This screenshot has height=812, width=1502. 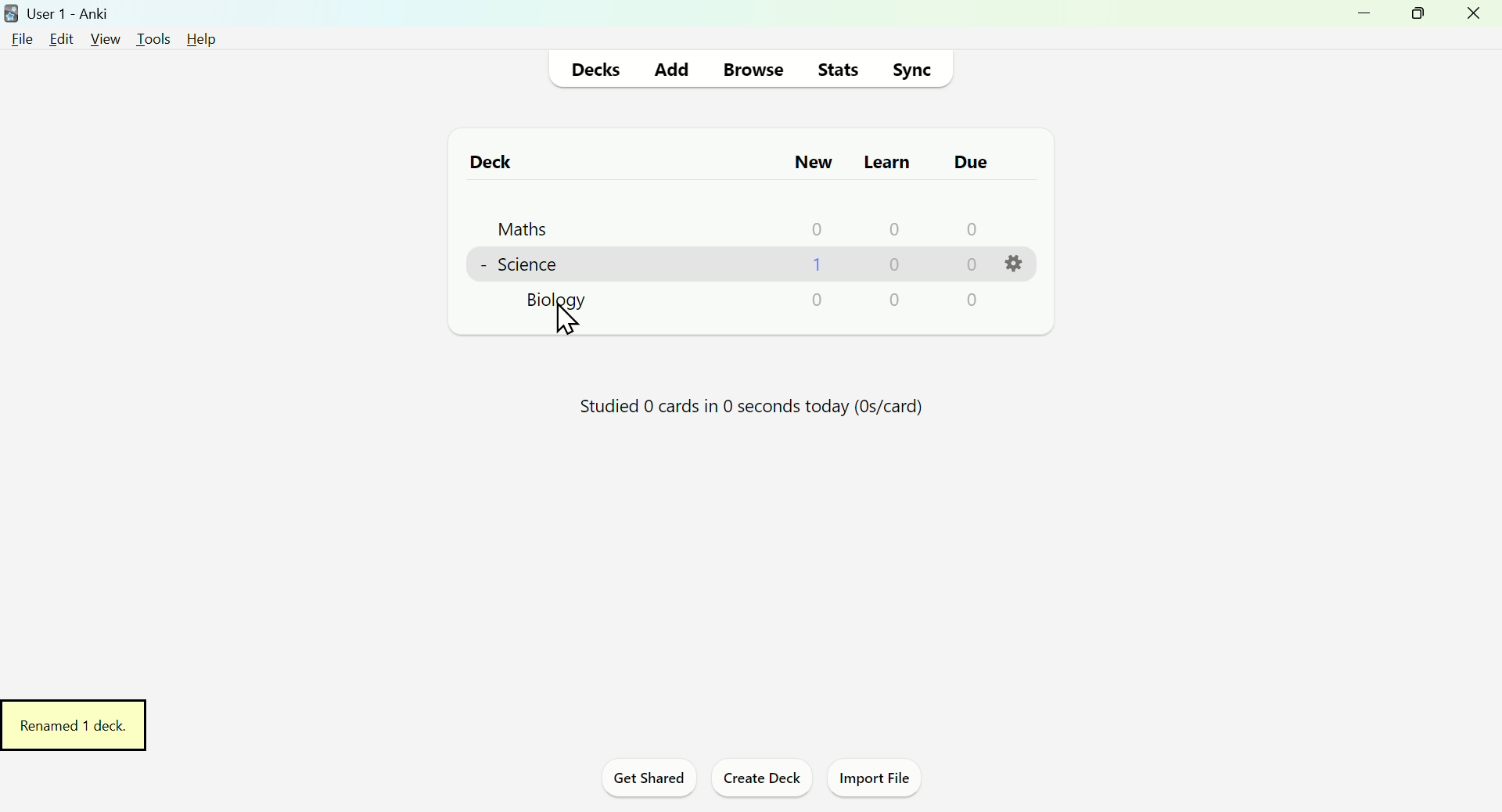 What do you see at coordinates (599, 68) in the screenshot?
I see `Decks` at bounding box center [599, 68].